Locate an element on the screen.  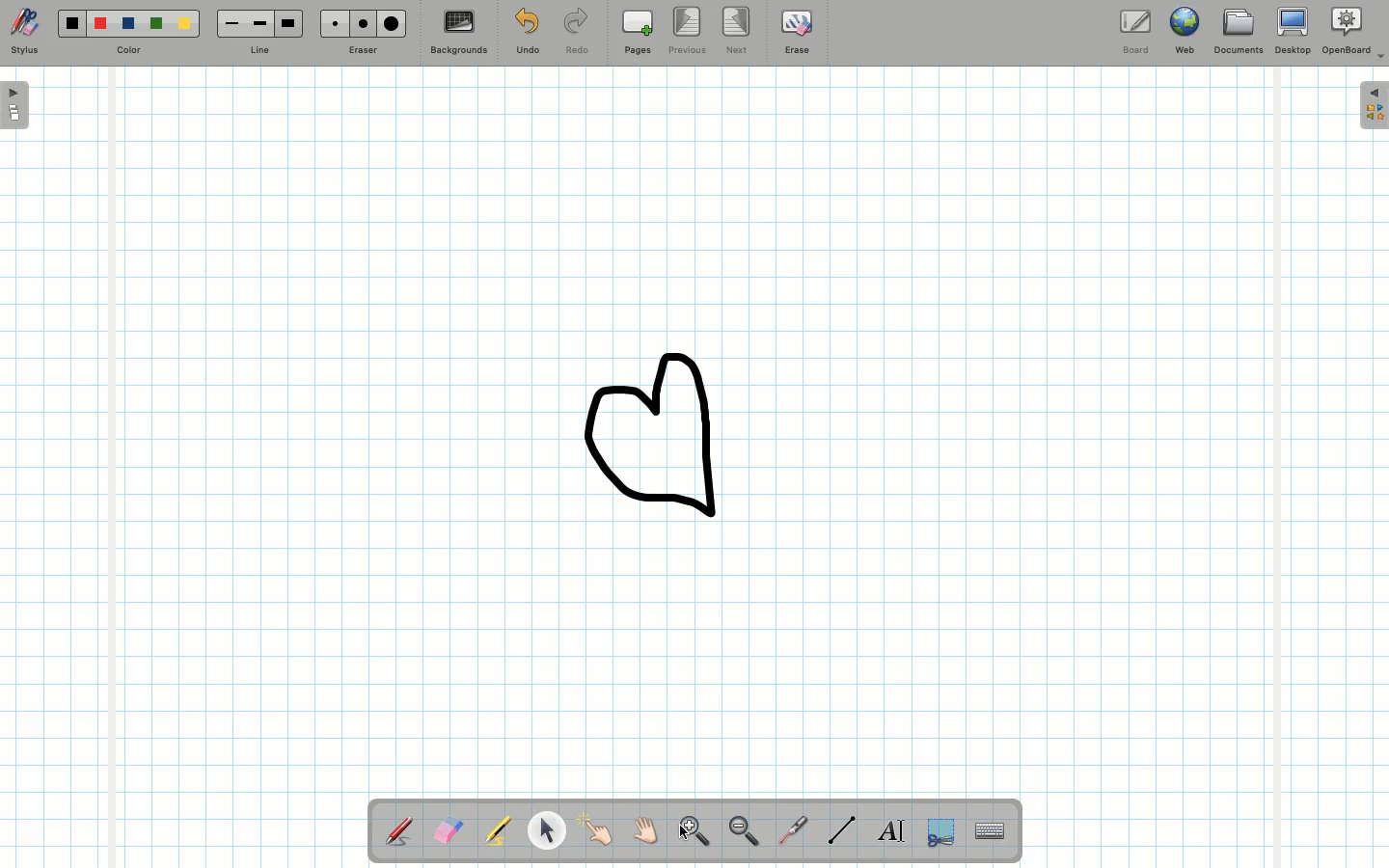
Documents is located at coordinates (1237, 32).